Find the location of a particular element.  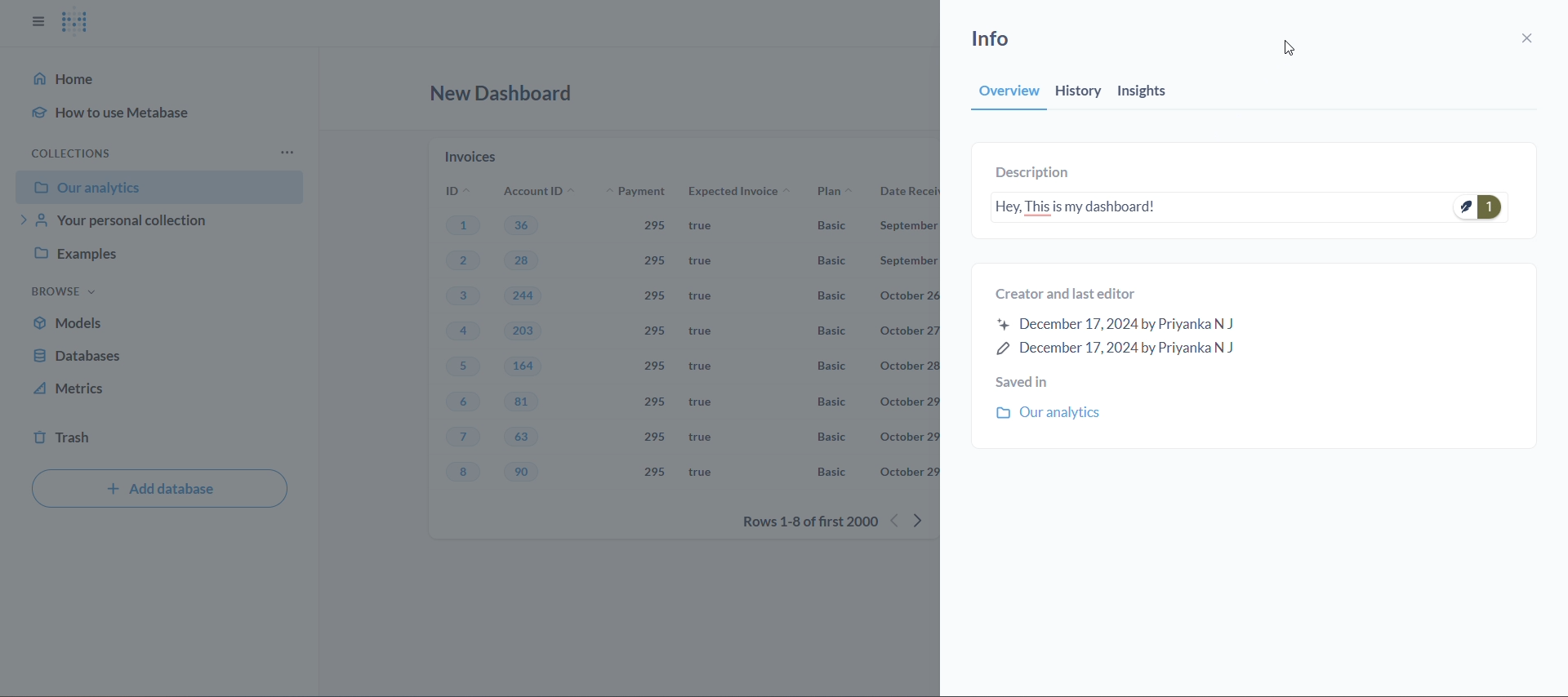

Basic is located at coordinates (832, 402).